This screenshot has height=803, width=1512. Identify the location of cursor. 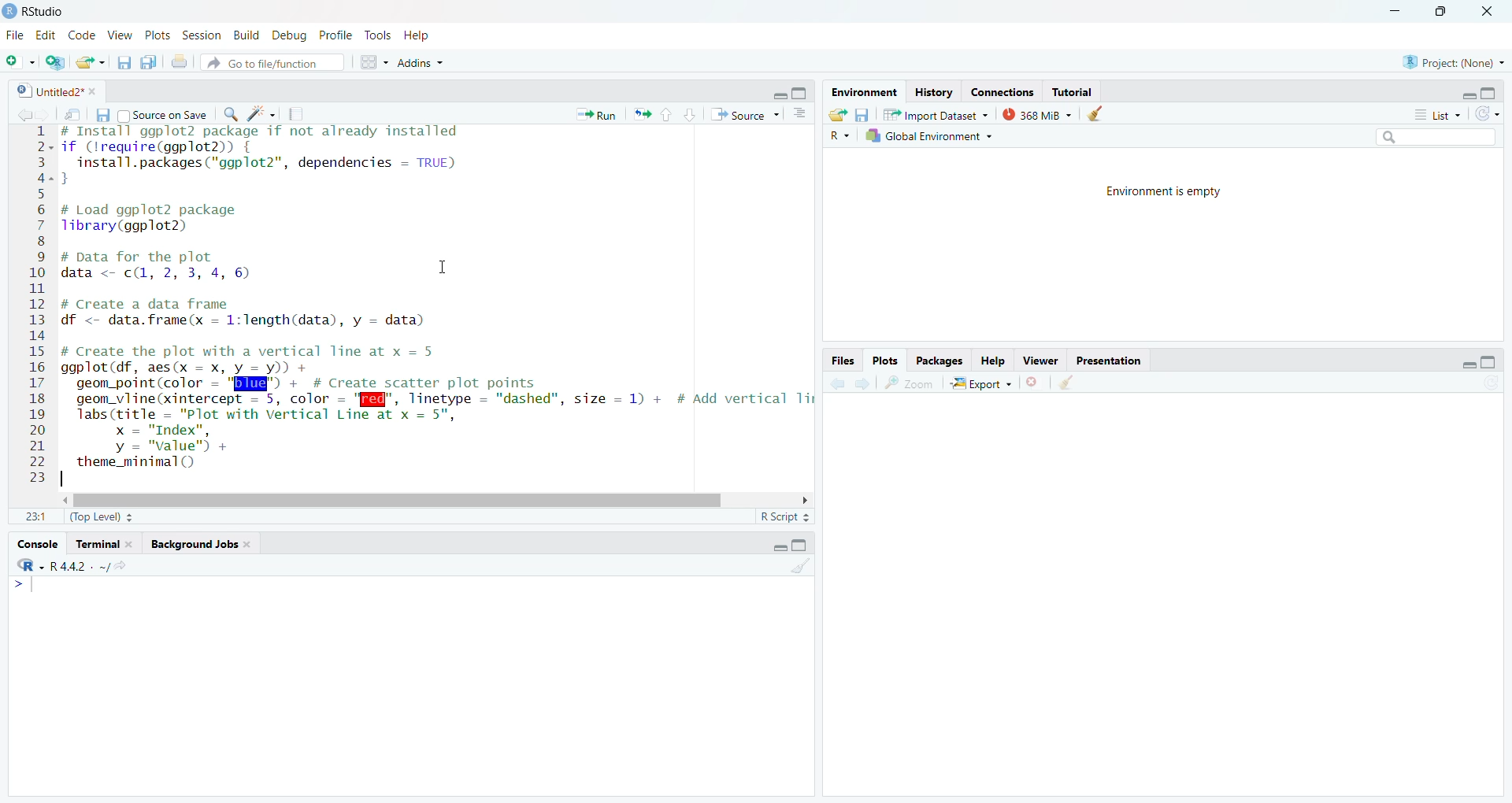
(443, 268).